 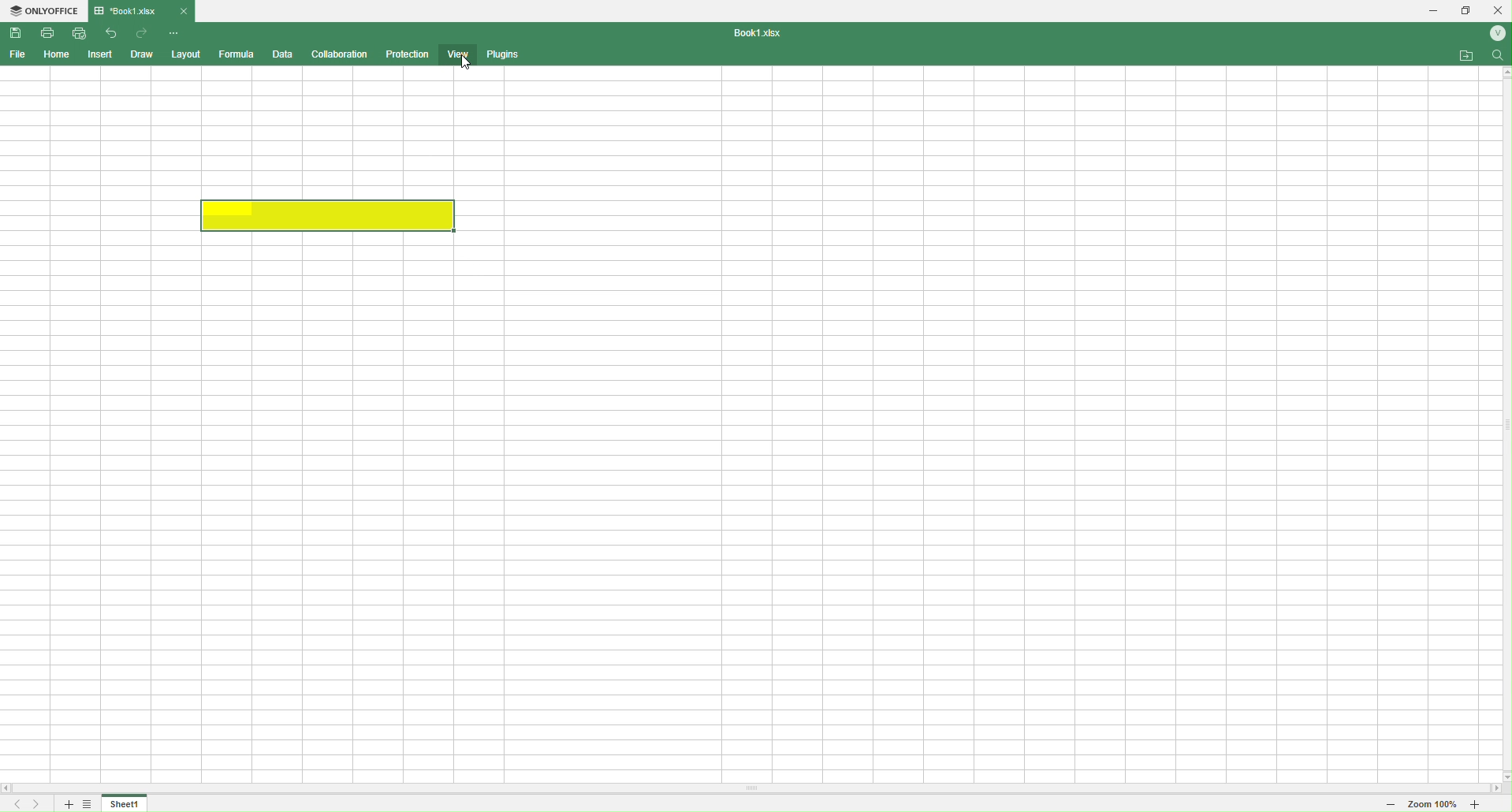 I want to click on Account name, so click(x=1496, y=35).